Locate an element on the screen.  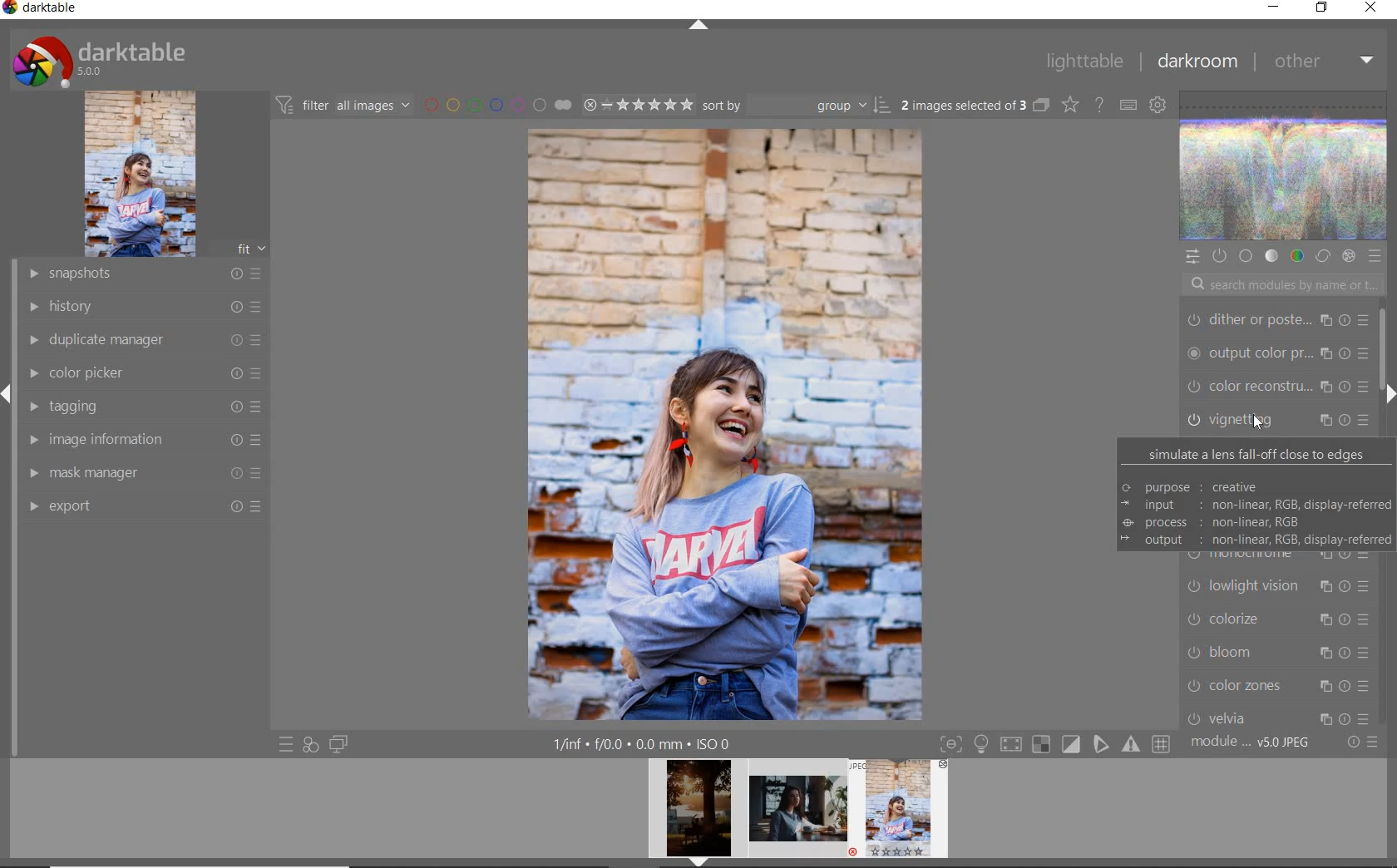
lens correction is located at coordinates (1275, 713).